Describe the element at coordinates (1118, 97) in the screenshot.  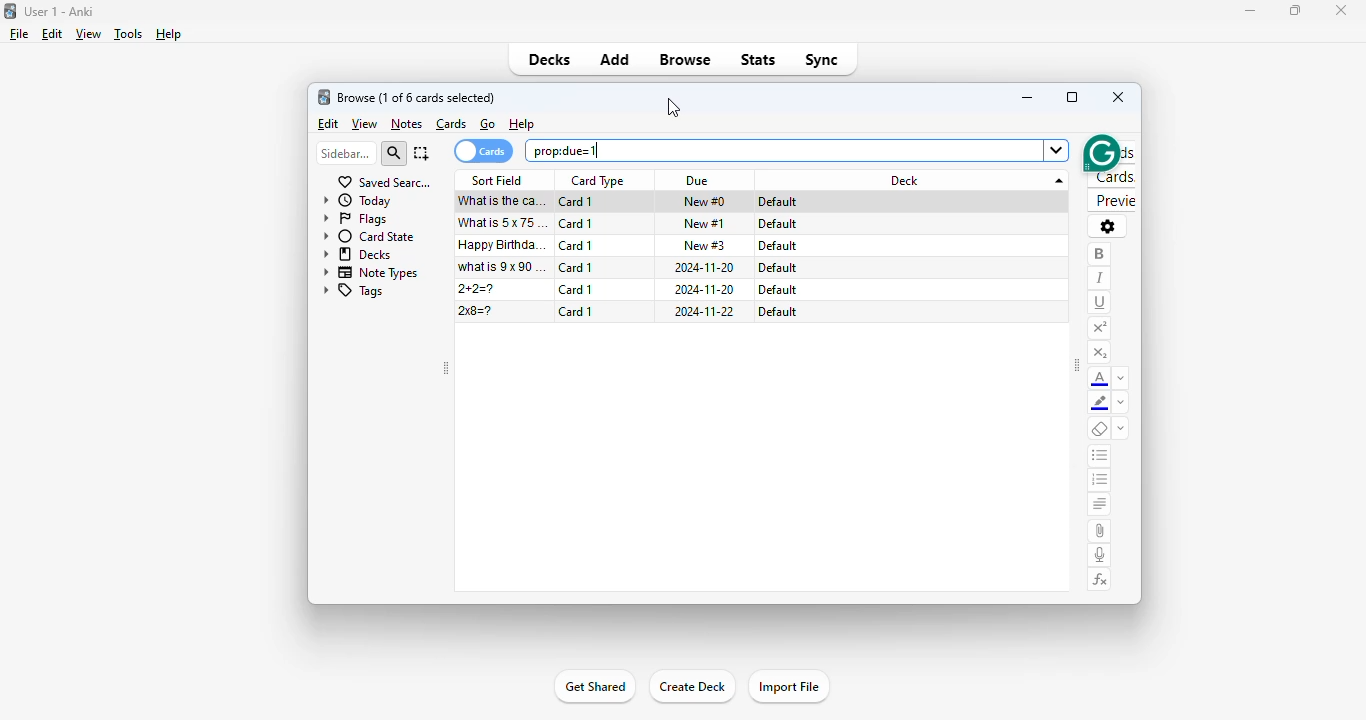
I see `close` at that location.